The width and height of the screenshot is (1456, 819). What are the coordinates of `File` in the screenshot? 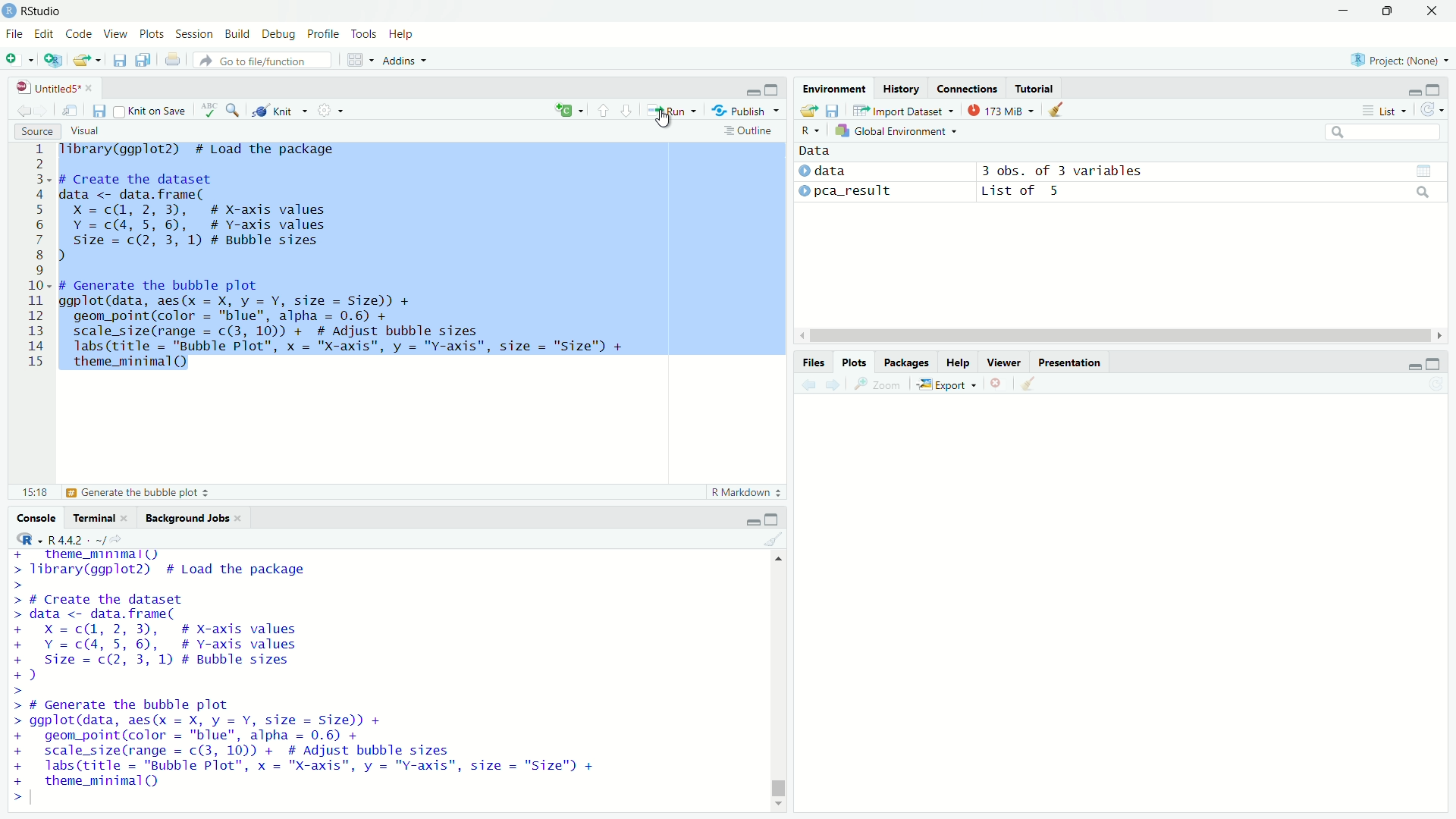 It's located at (15, 34).